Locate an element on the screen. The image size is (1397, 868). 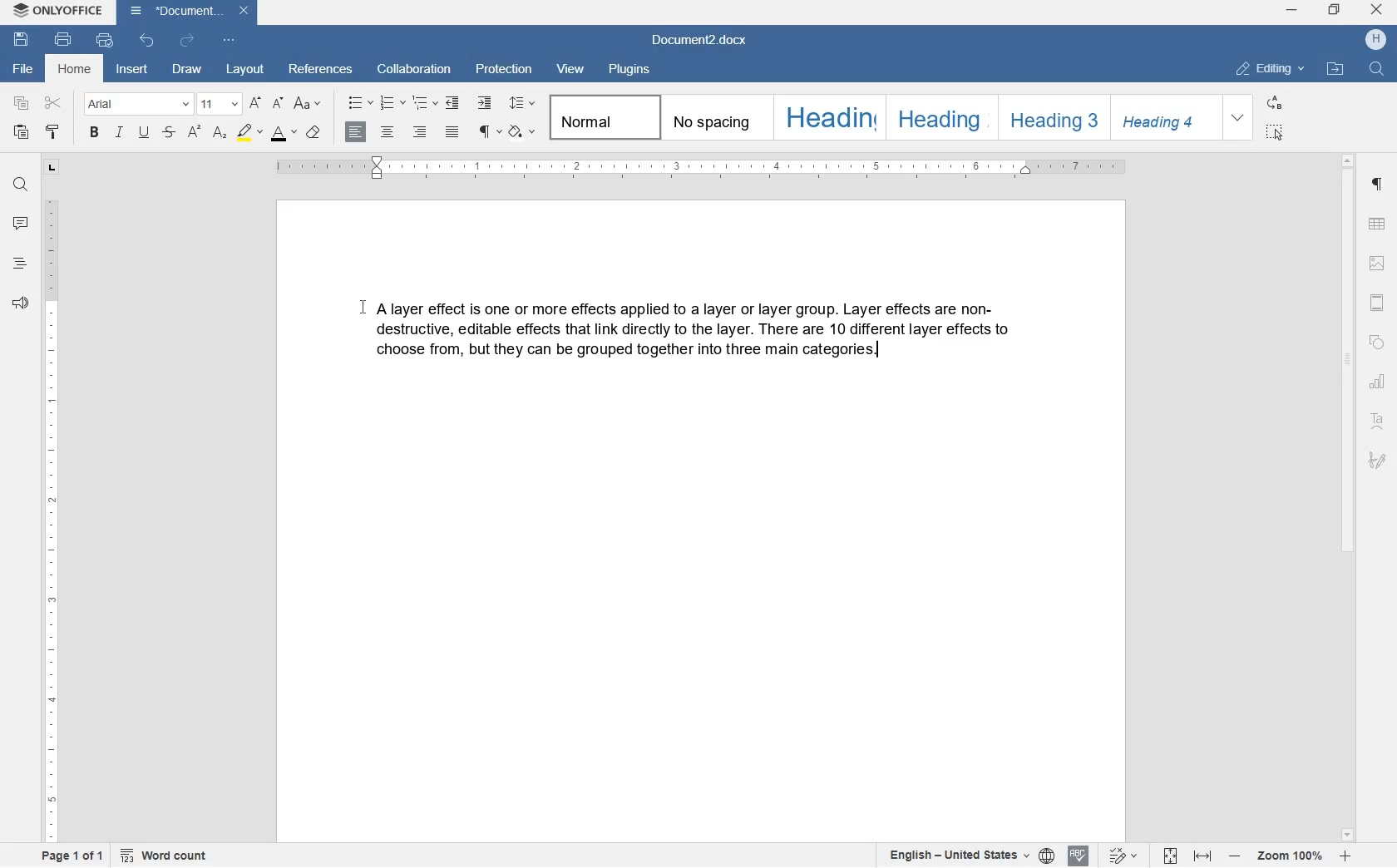
minimize is located at coordinates (1291, 11).